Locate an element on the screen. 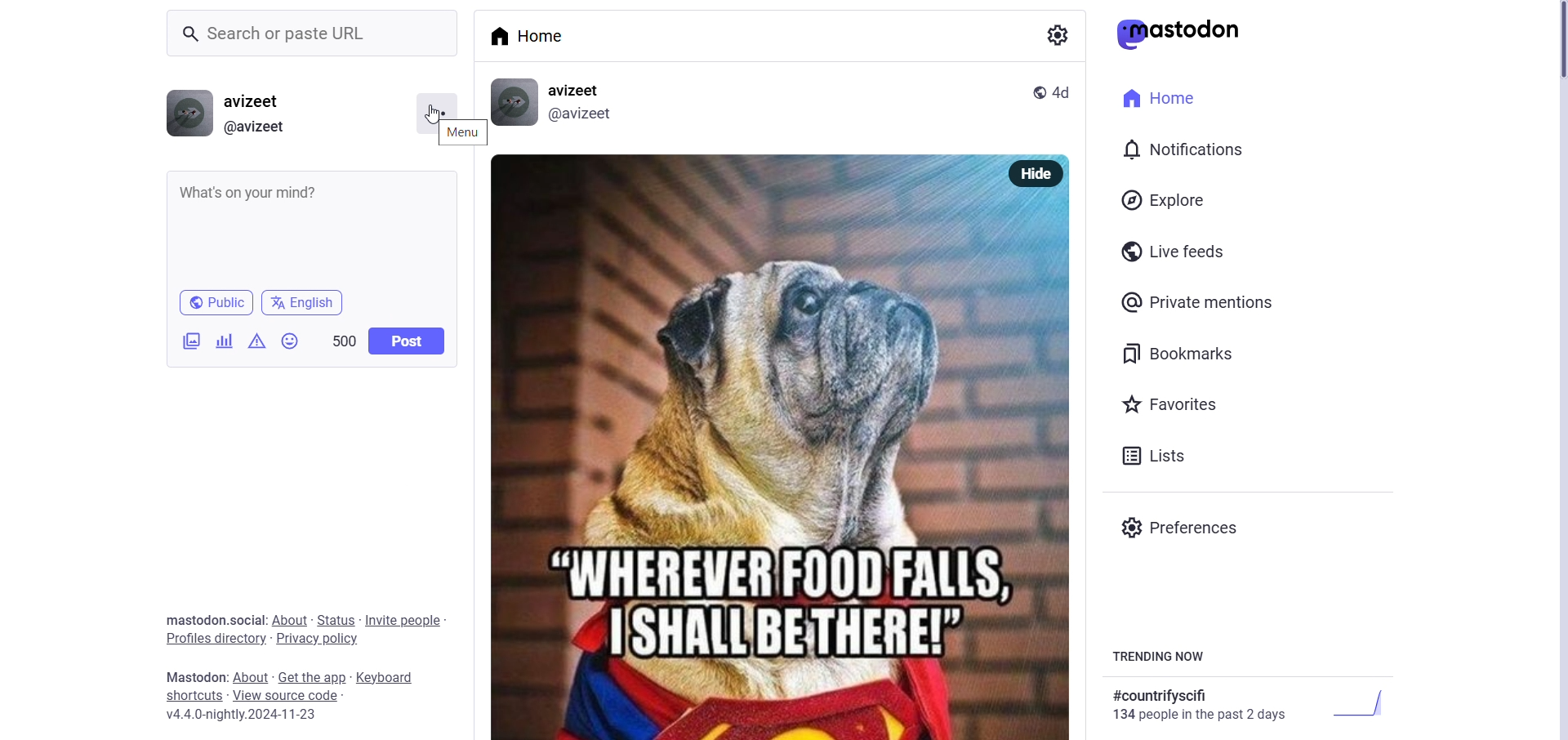 This screenshot has height=740, width=1568. name is located at coordinates (256, 100).